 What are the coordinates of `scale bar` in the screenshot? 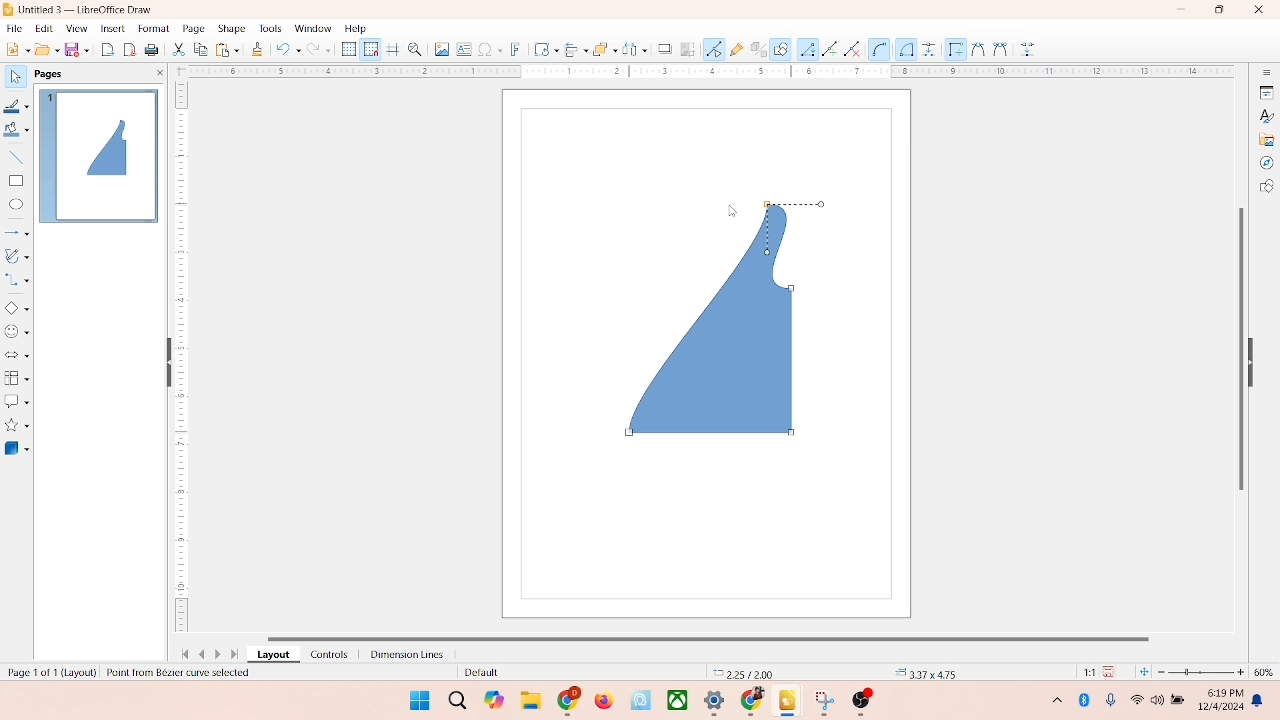 It's located at (704, 72).